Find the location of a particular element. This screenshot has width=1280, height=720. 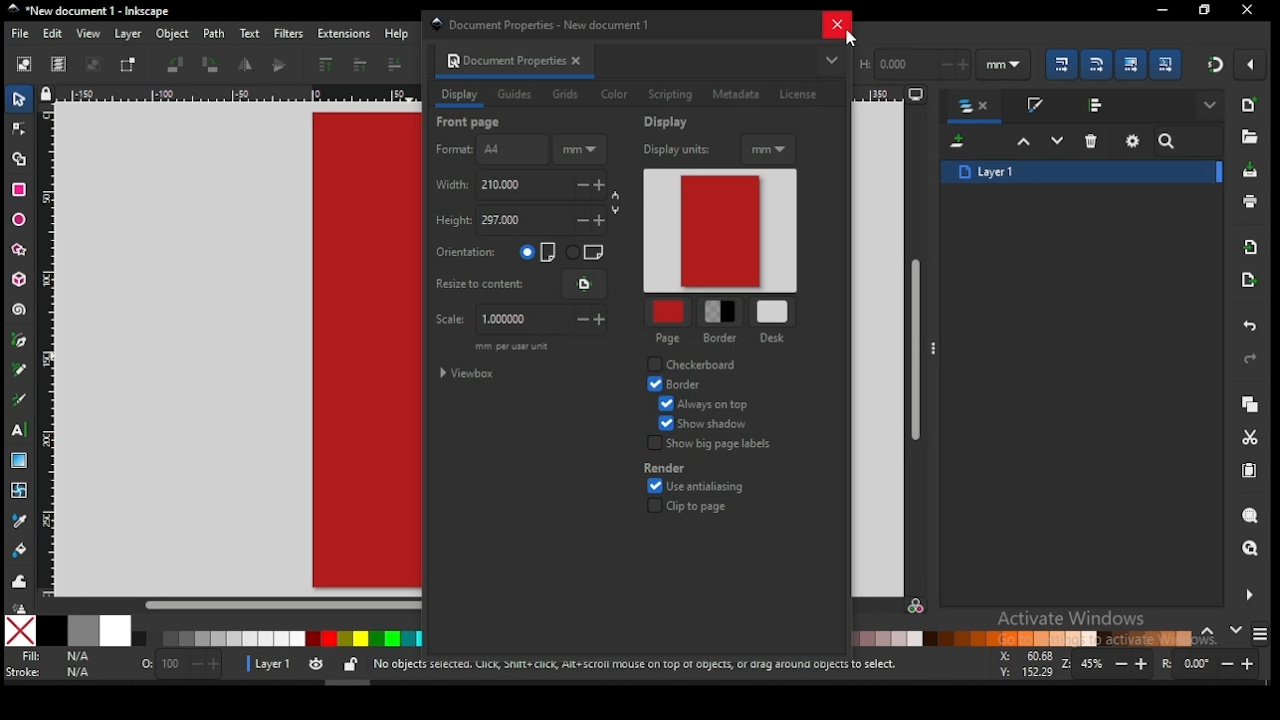

color palette is located at coordinates (1023, 638).